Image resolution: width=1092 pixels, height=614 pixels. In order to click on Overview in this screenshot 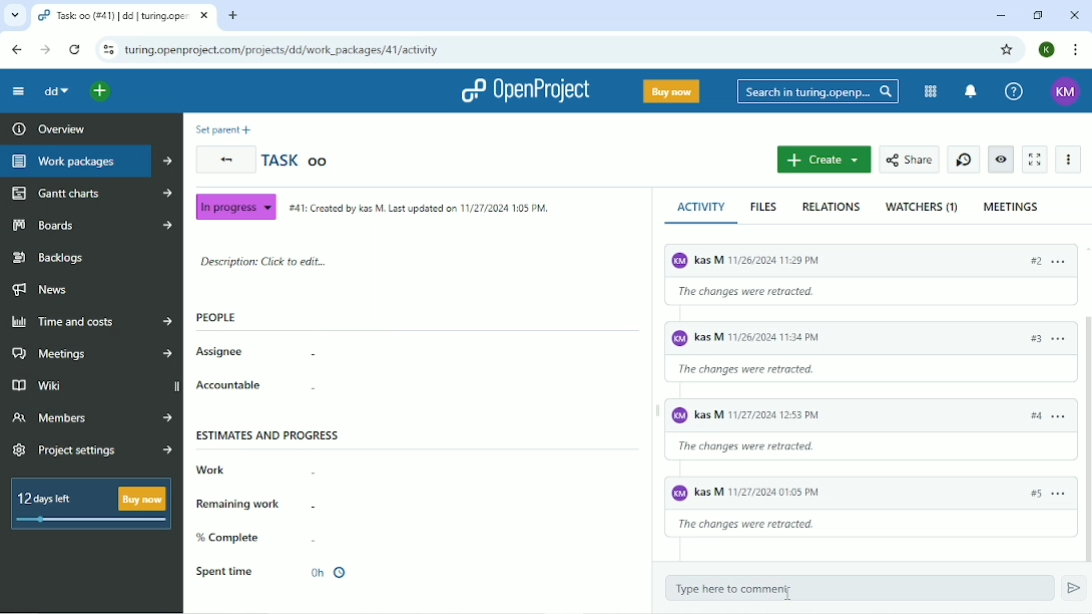, I will do `click(46, 128)`.